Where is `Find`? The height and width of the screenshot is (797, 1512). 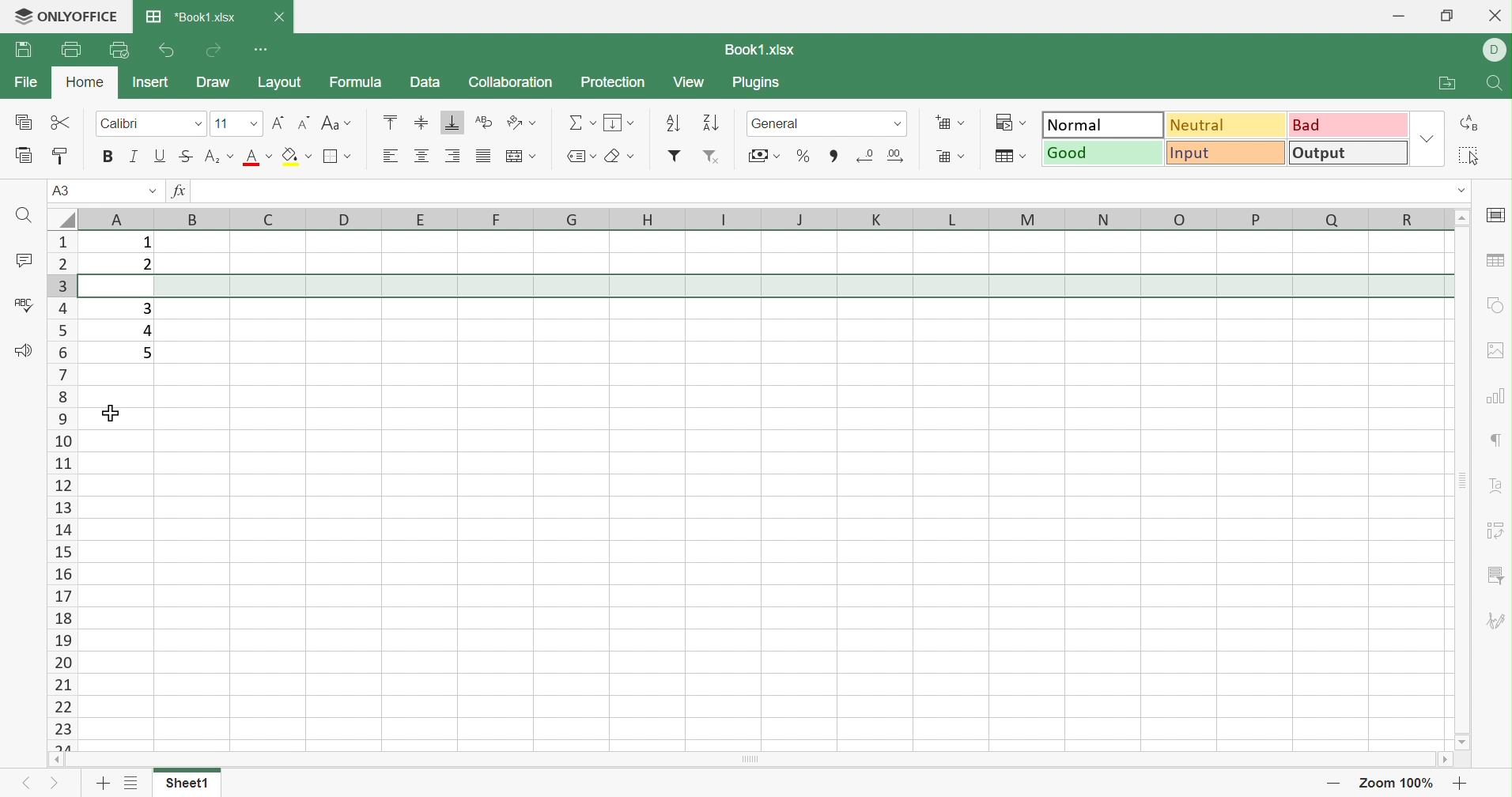
Find is located at coordinates (27, 218).